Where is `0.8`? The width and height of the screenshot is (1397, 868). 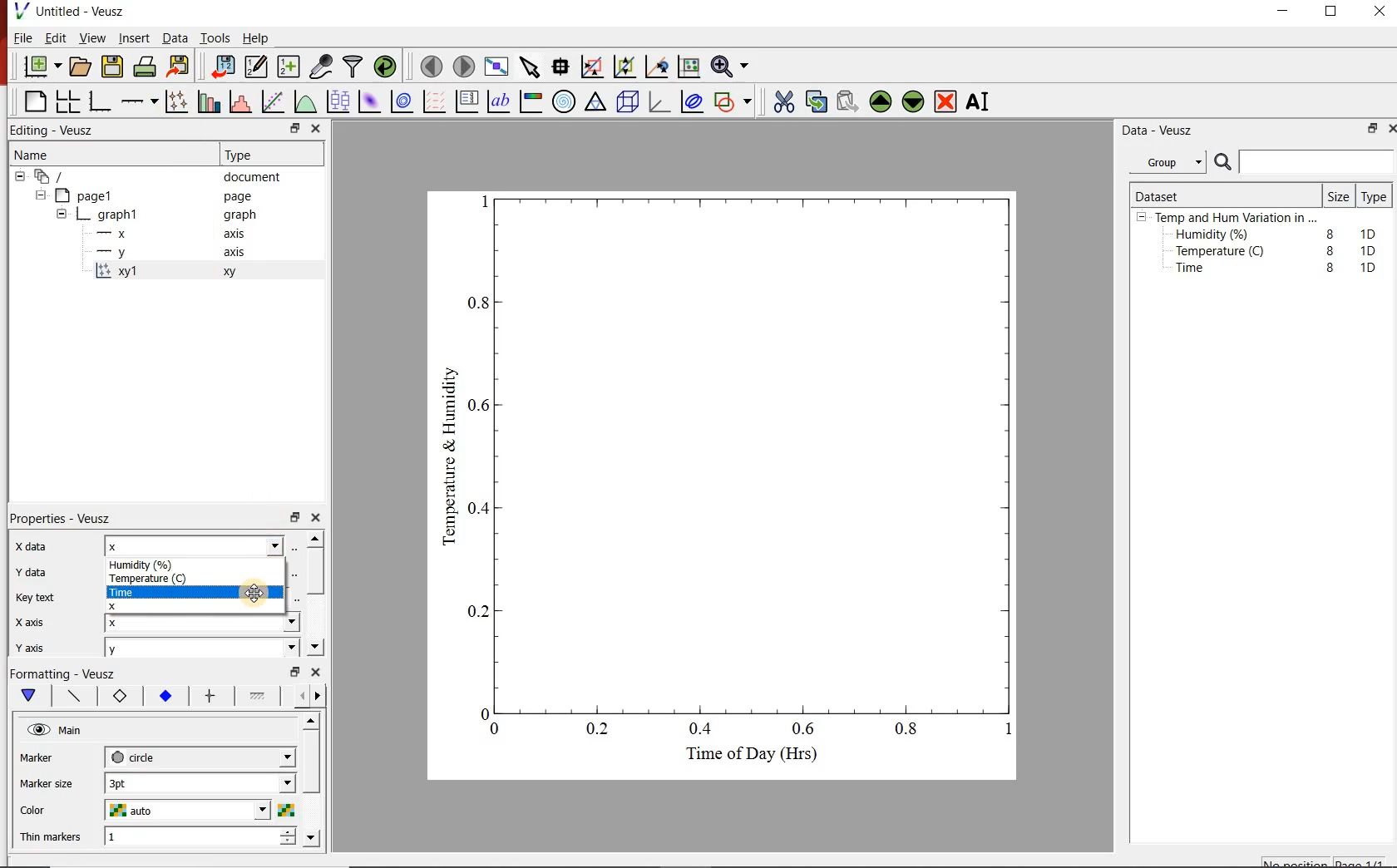
0.8 is located at coordinates (911, 732).